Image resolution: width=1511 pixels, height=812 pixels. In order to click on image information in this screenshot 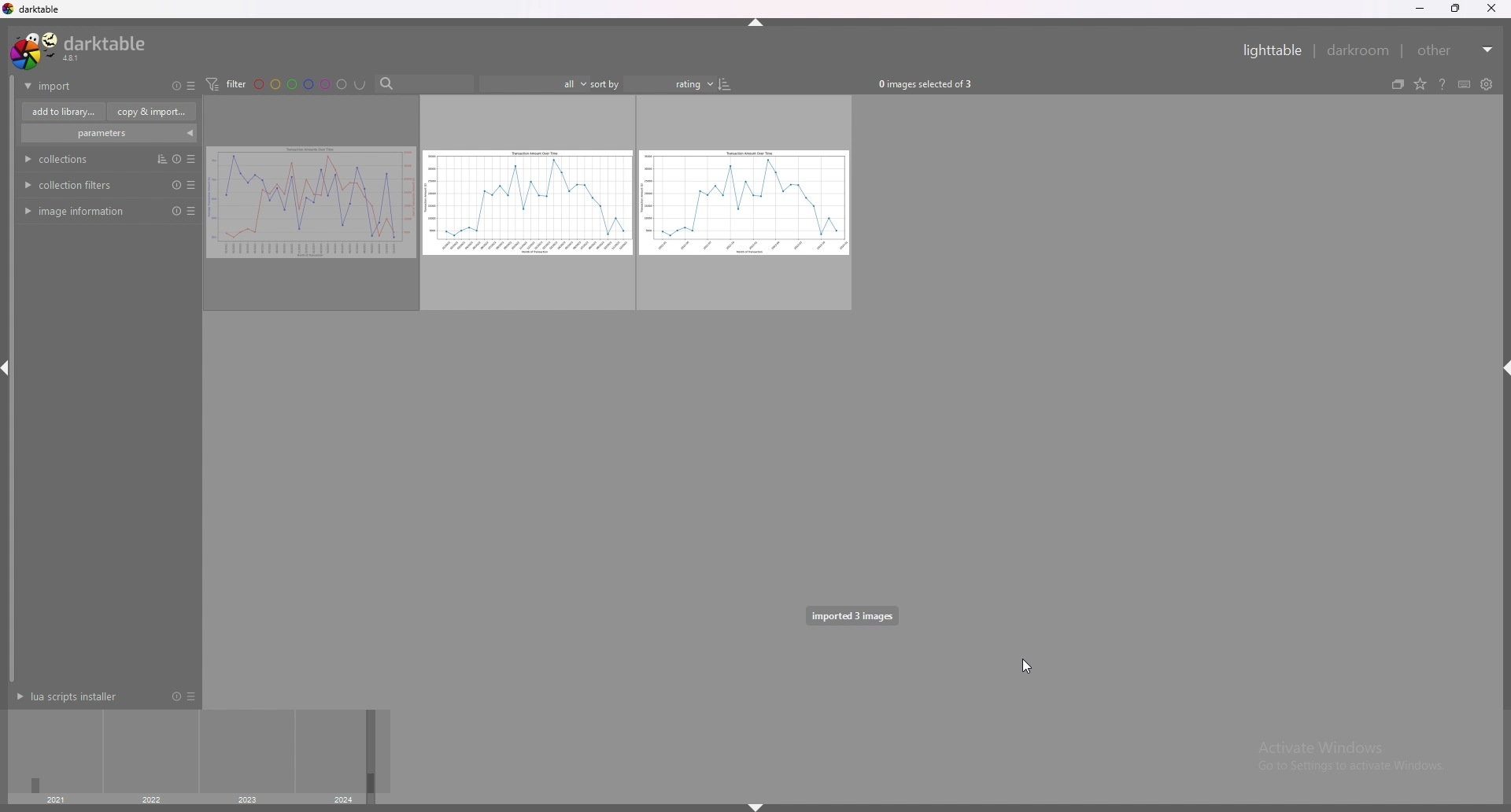, I will do `click(78, 212)`.